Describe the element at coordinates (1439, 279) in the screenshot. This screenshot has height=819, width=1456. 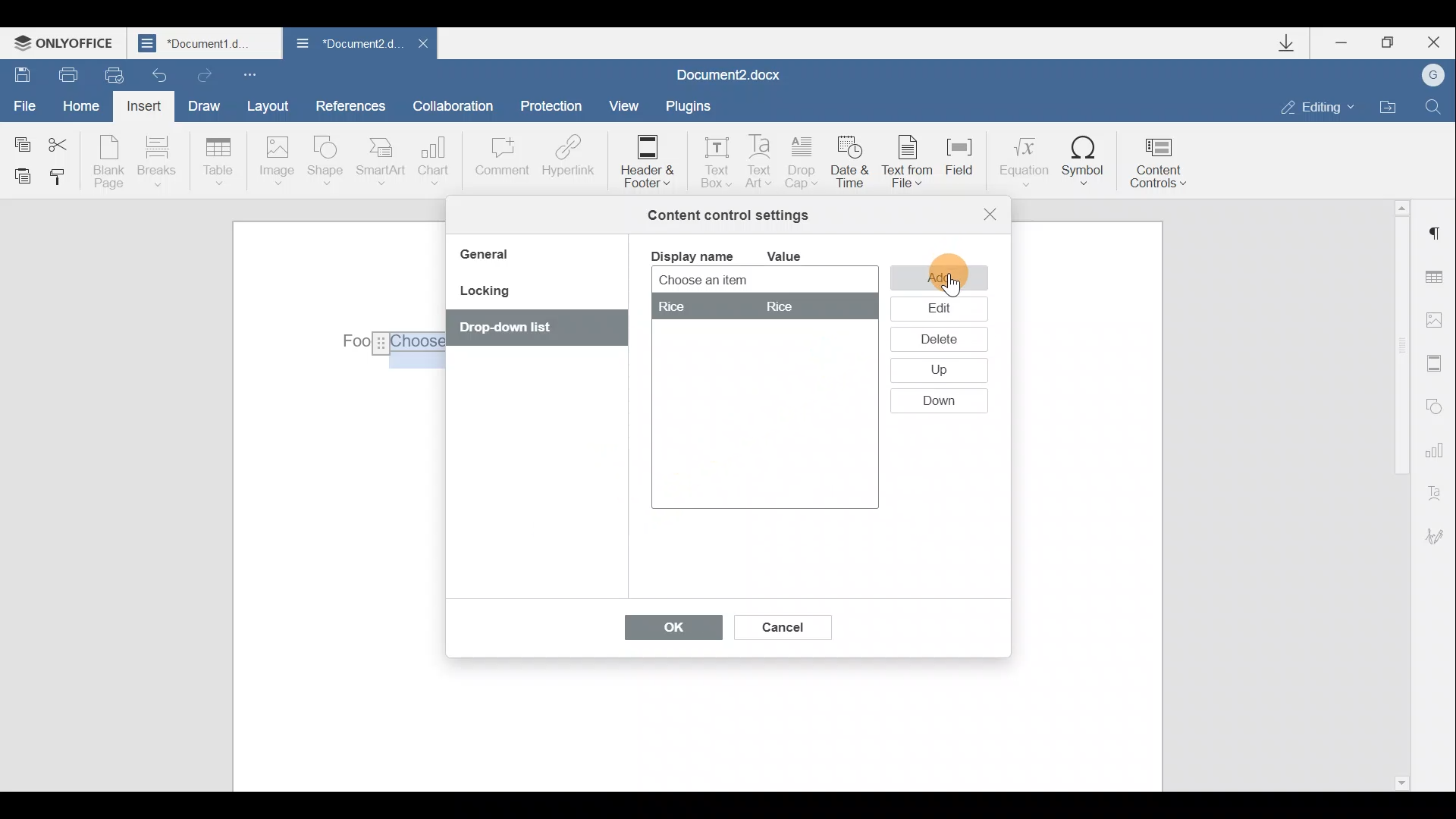
I see `Table settings` at that location.